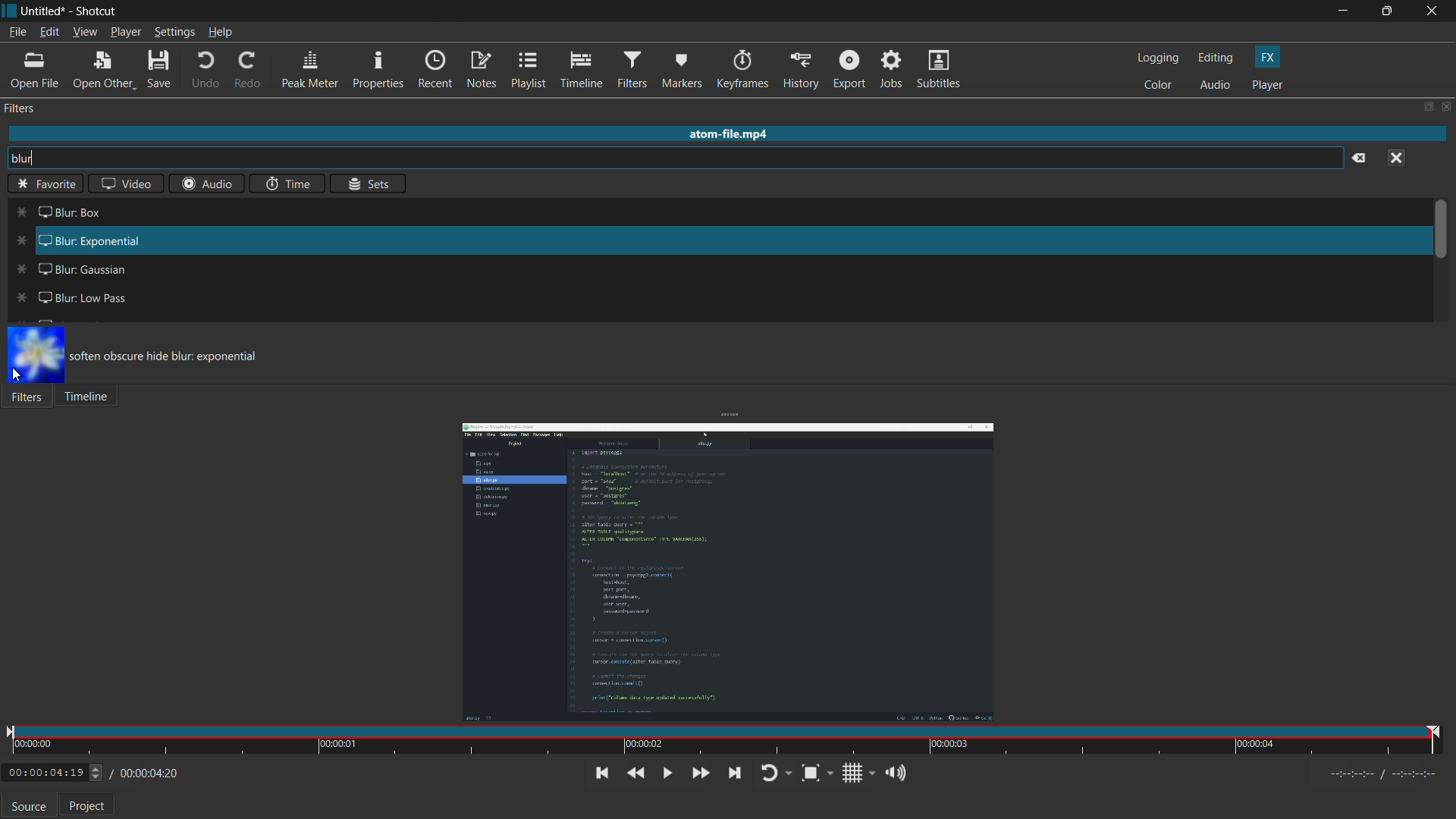  What do you see at coordinates (289, 184) in the screenshot?
I see `time` at bounding box center [289, 184].